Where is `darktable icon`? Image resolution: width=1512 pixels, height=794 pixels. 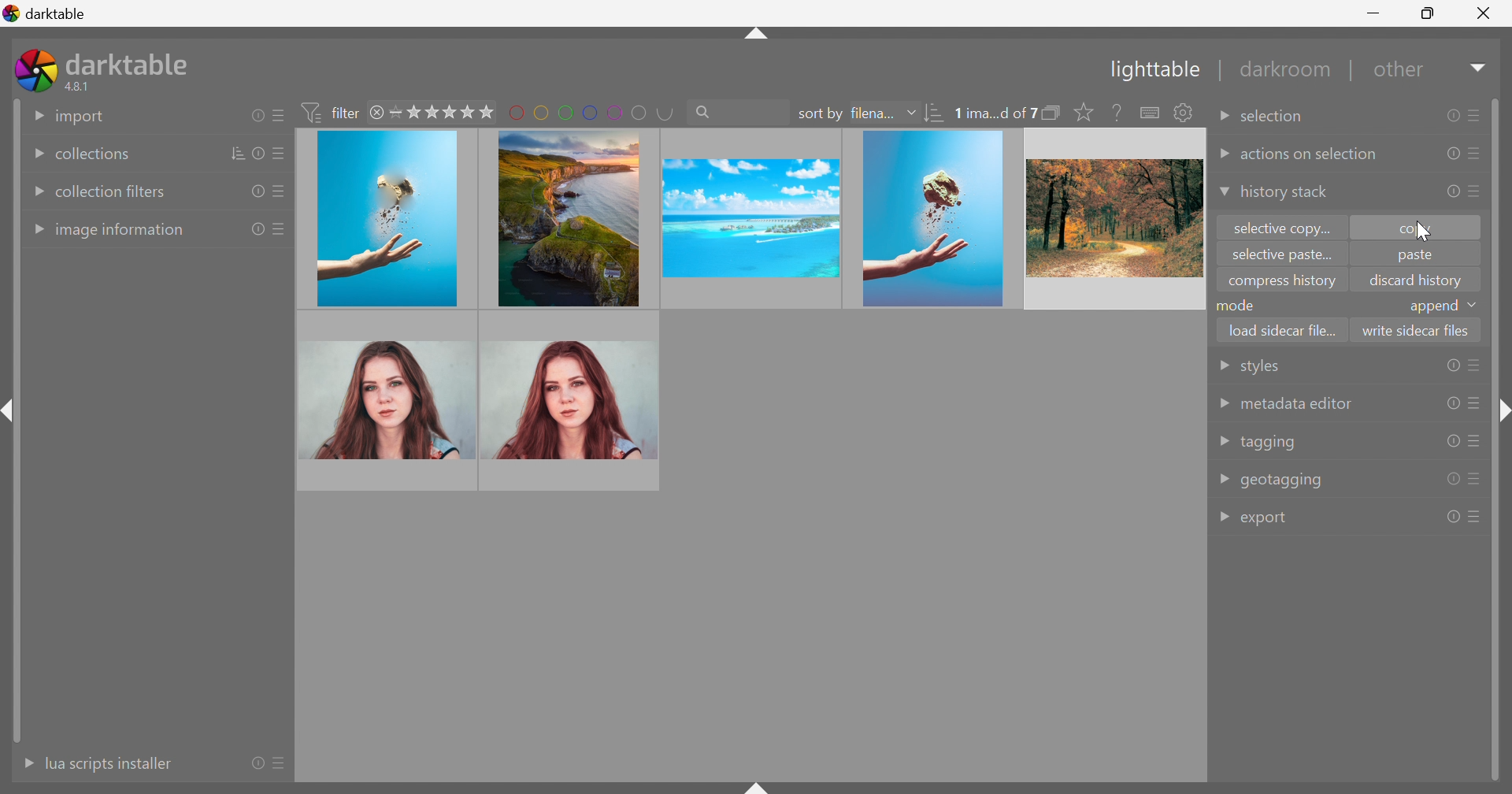 darktable icon is located at coordinates (35, 70).